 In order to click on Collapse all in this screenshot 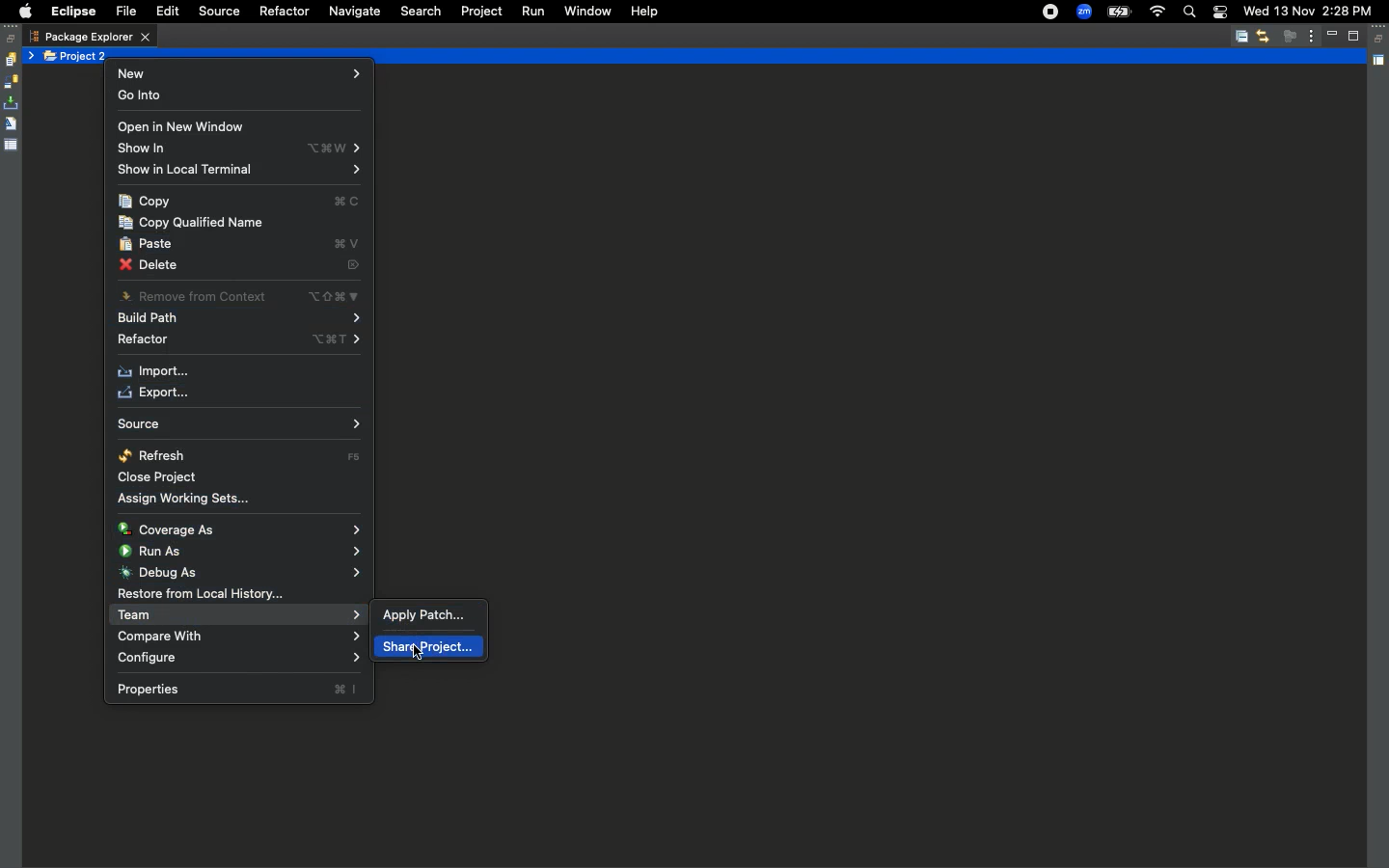, I will do `click(1241, 38)`.